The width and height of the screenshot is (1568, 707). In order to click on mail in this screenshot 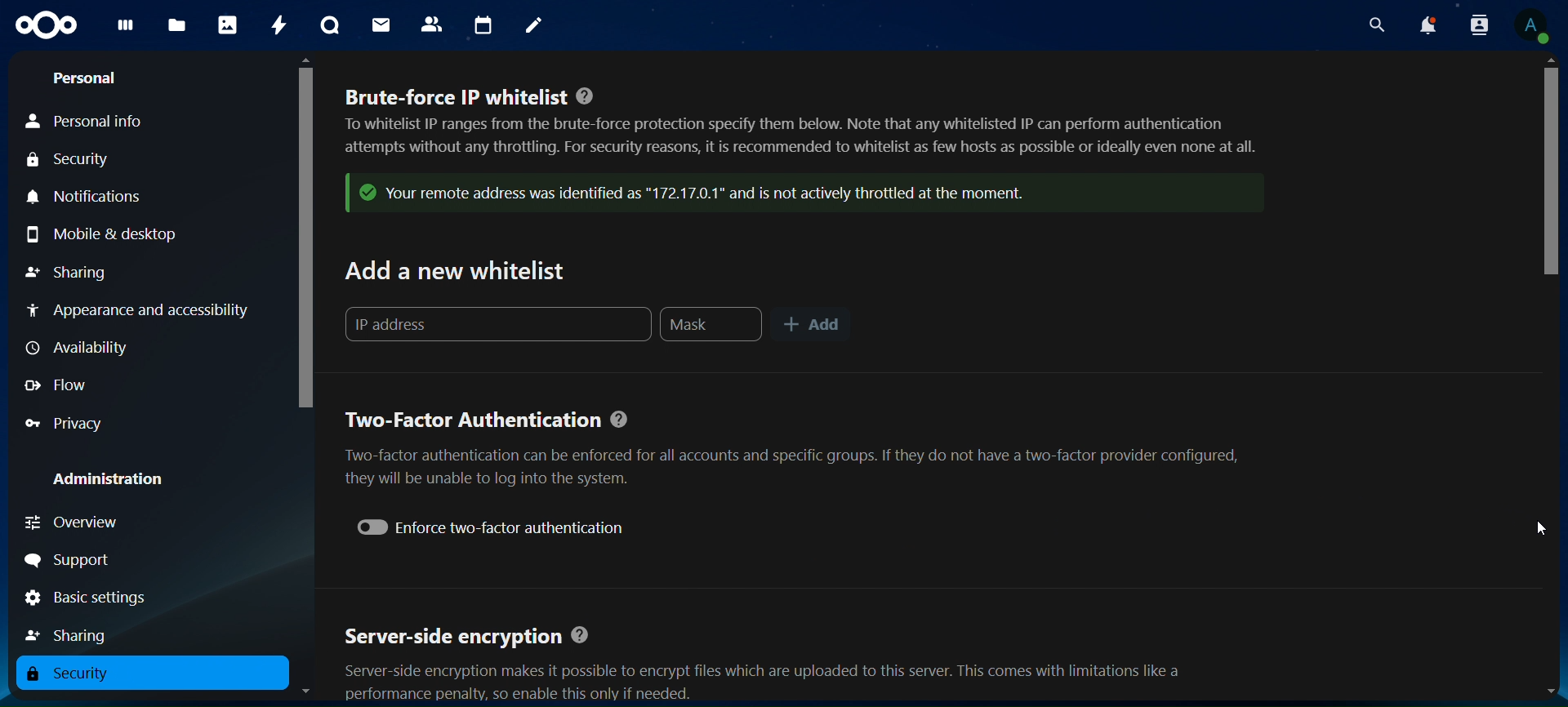, I will do `click(381, 23)`.